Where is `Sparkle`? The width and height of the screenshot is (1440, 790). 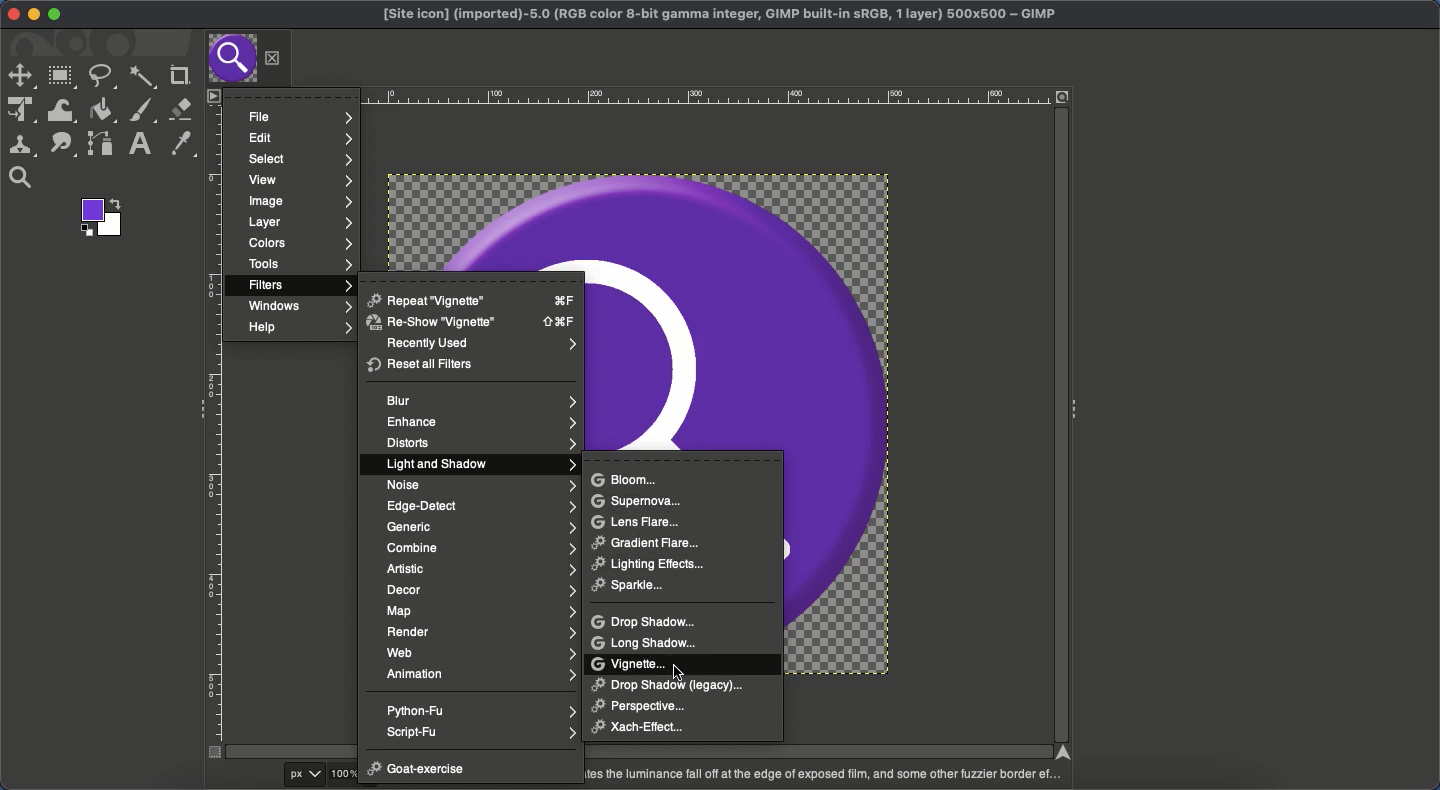
Sparkle is located at coordinates (633, 587).